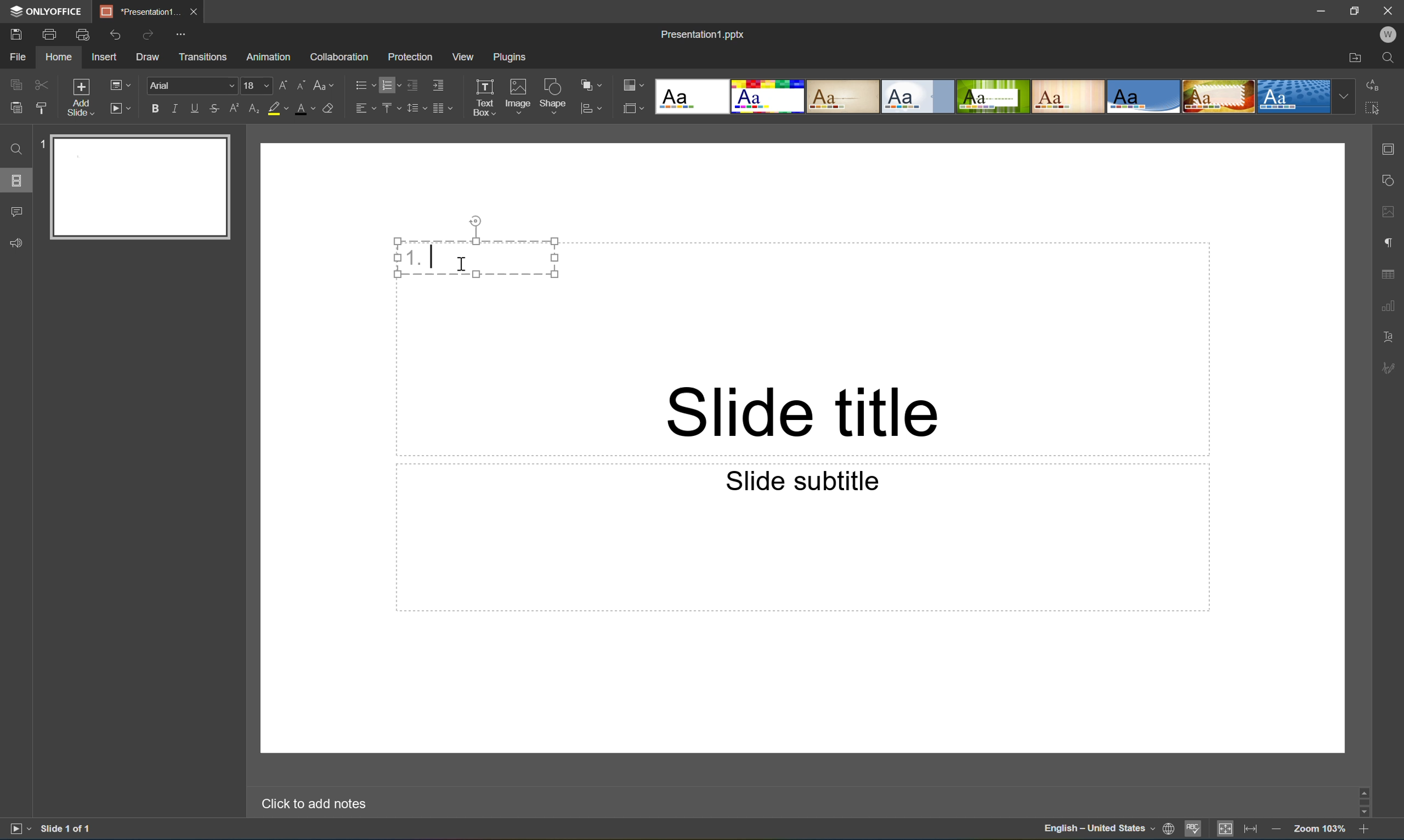 The height and width of the screenshot is (840, 1404). Describe the element at coordinates (1358, 10) in the screenshot. I see `Restore down` at that location.